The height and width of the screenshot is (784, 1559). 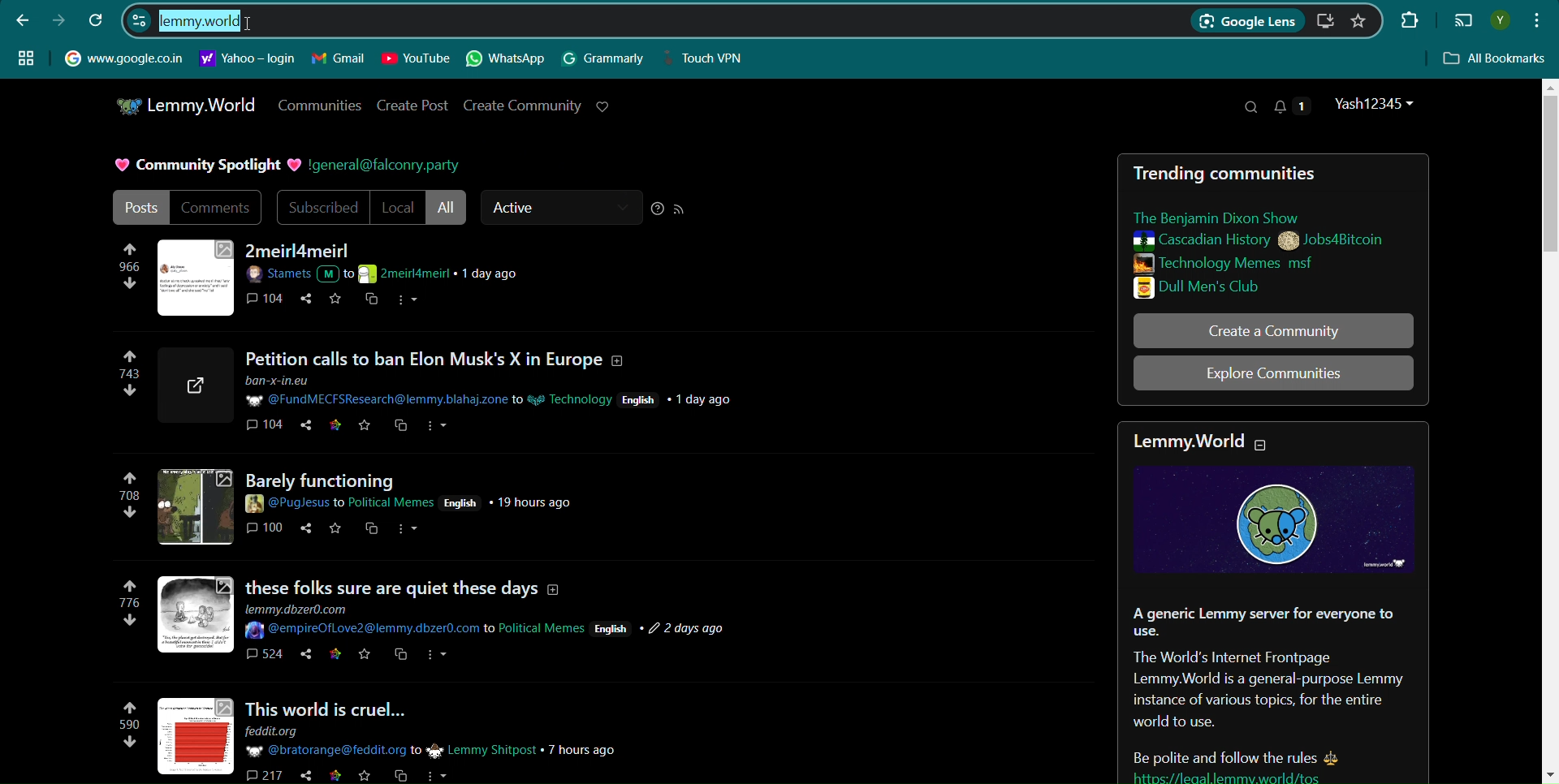 What do you see at coordinates (1234, 173) in the screenshot?
I see `Trending communities` at bounding box center [1234, 173].